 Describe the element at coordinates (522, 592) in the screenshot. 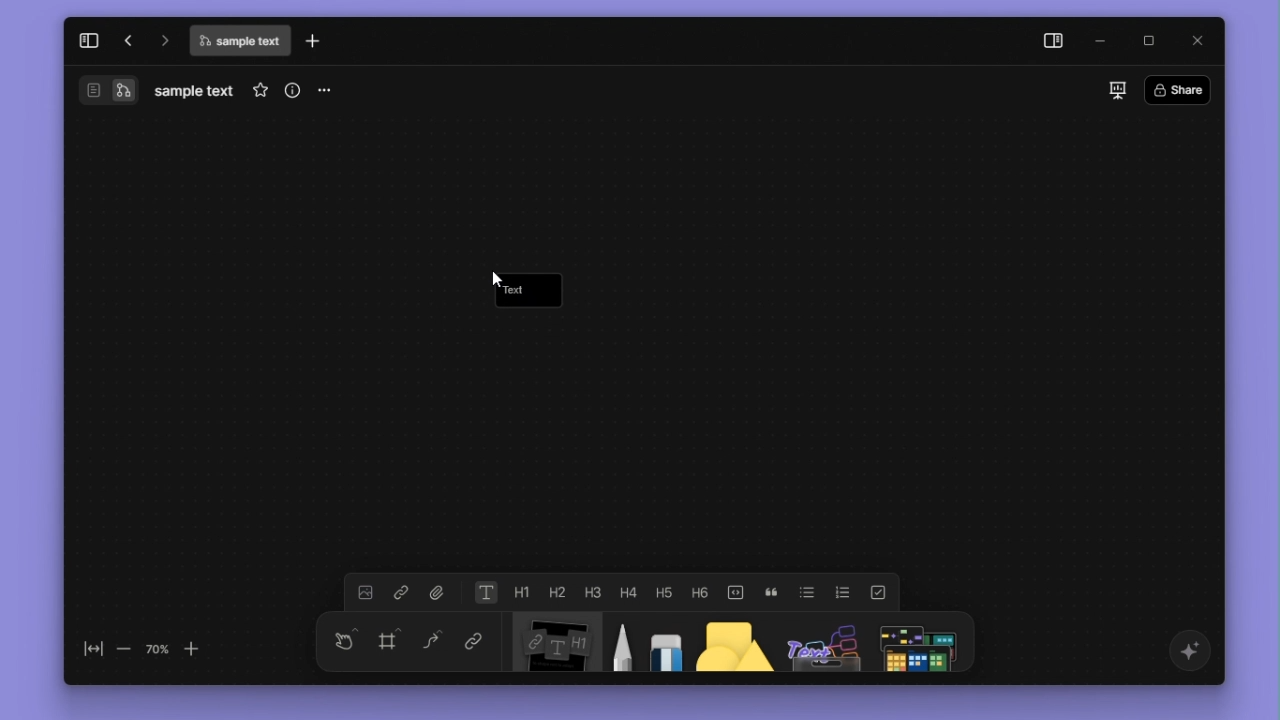

I see `heading 1` at that location.